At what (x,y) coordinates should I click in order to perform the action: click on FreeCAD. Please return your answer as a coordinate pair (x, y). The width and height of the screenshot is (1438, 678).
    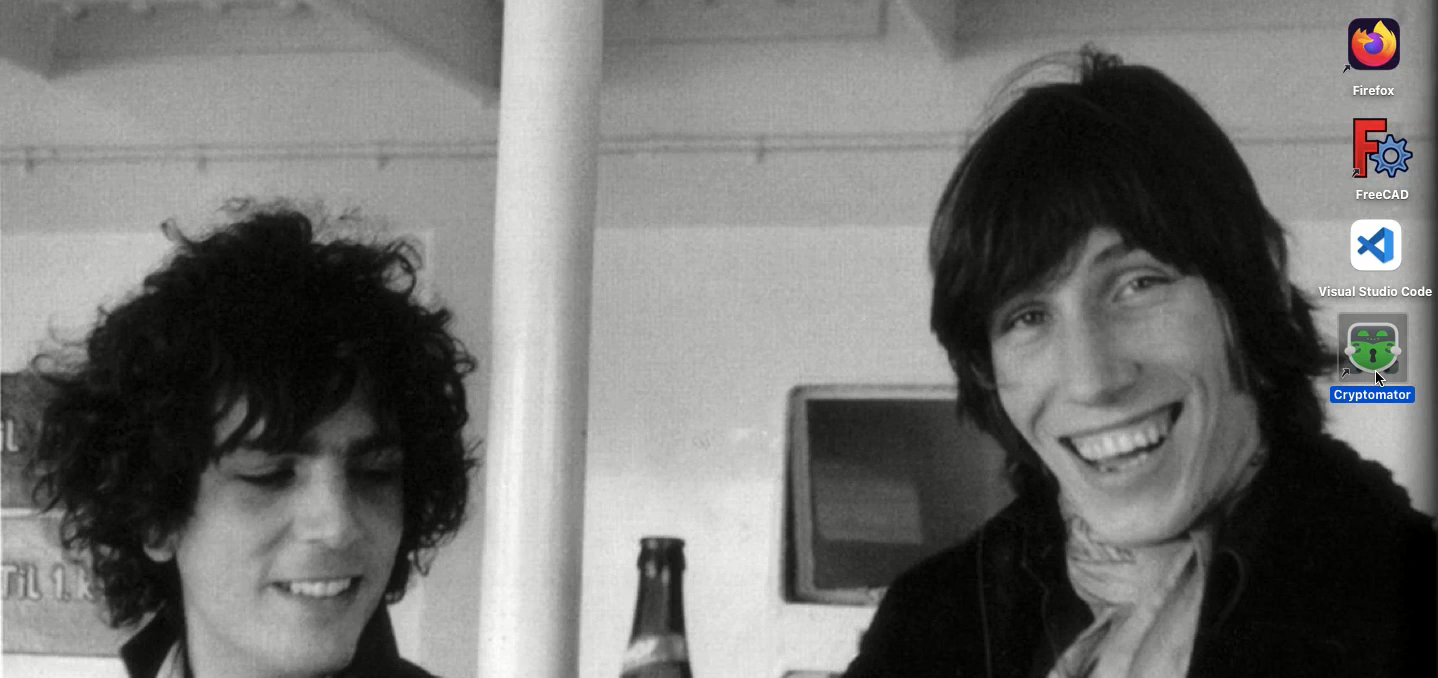
    Looking at the image, I should click on (1383, 159).